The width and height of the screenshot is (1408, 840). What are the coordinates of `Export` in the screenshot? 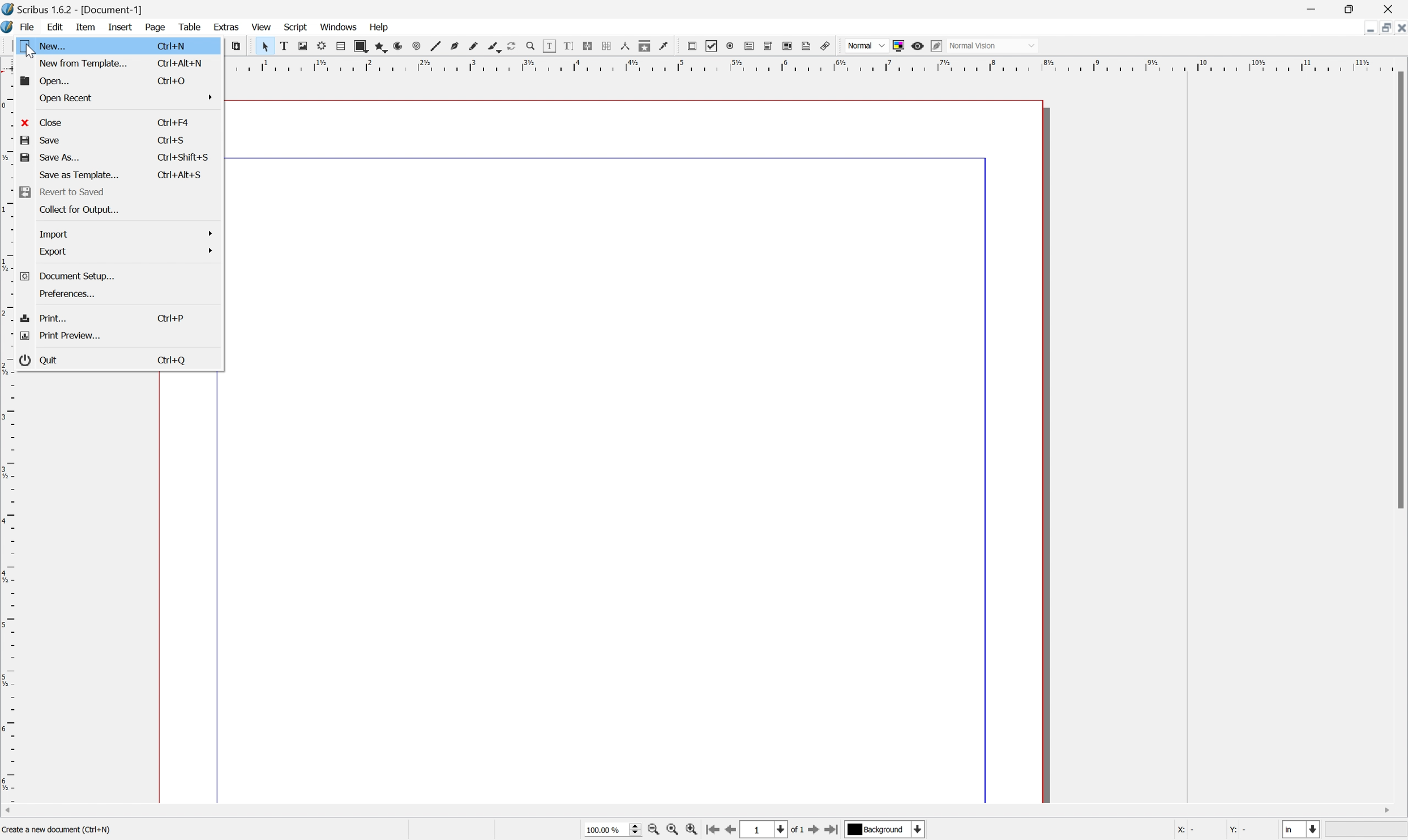 It's located at (125, 252).